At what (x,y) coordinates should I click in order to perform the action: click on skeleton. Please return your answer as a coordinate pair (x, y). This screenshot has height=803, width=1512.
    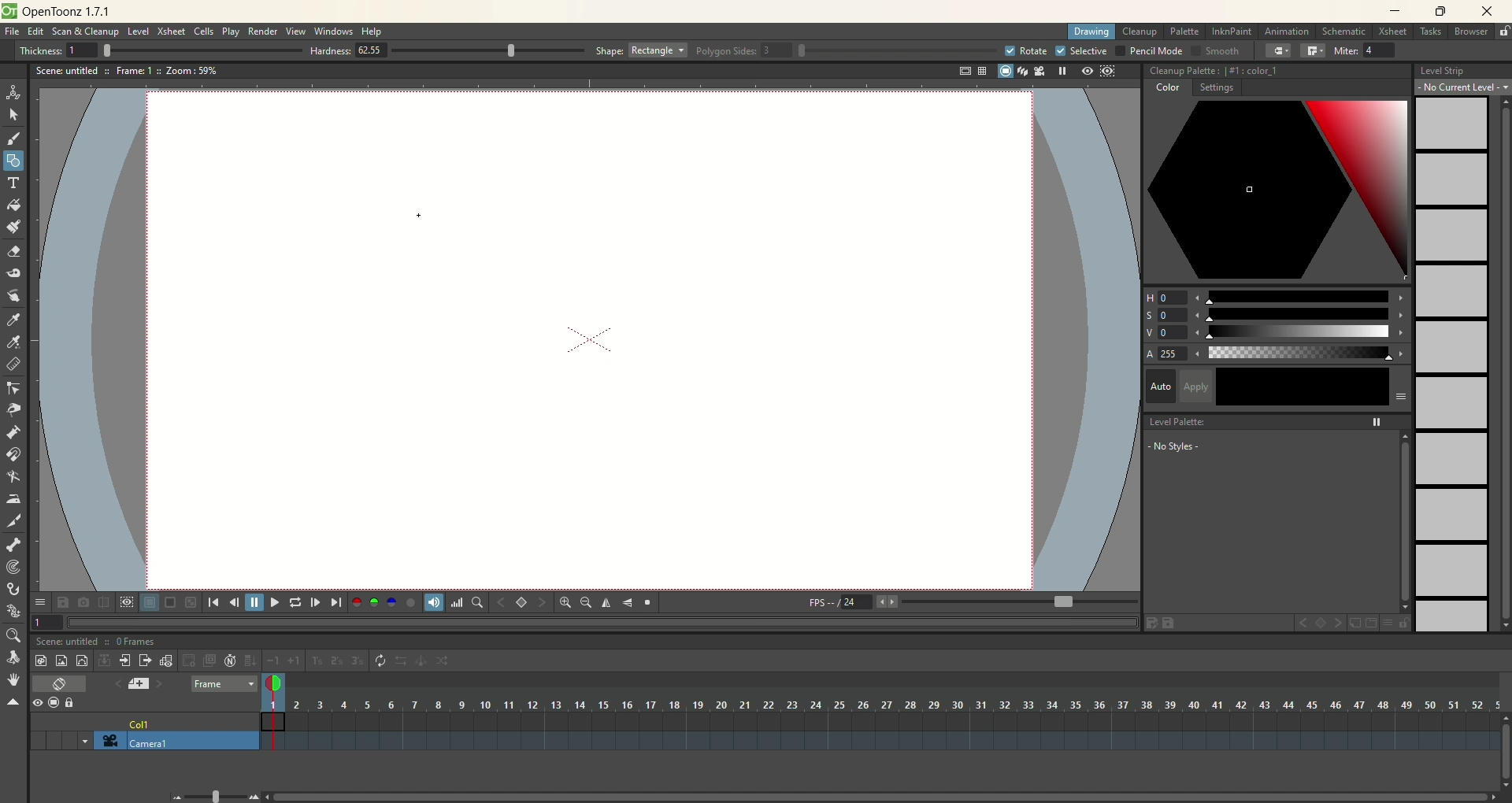
    Looking at the image, I should click on (12, 543).